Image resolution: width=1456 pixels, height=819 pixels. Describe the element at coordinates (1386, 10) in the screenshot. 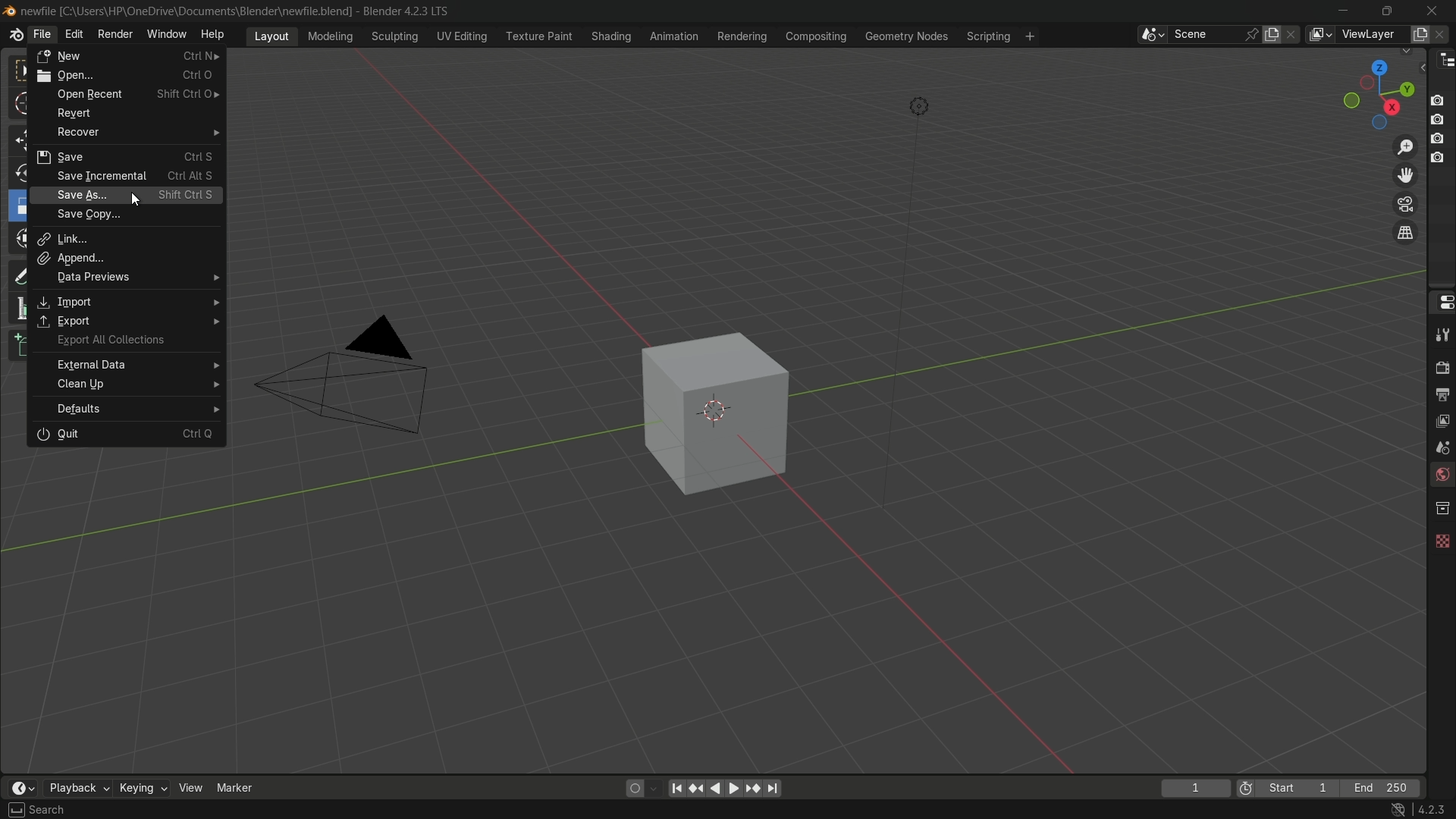

I see `maximize or restore` at that location.